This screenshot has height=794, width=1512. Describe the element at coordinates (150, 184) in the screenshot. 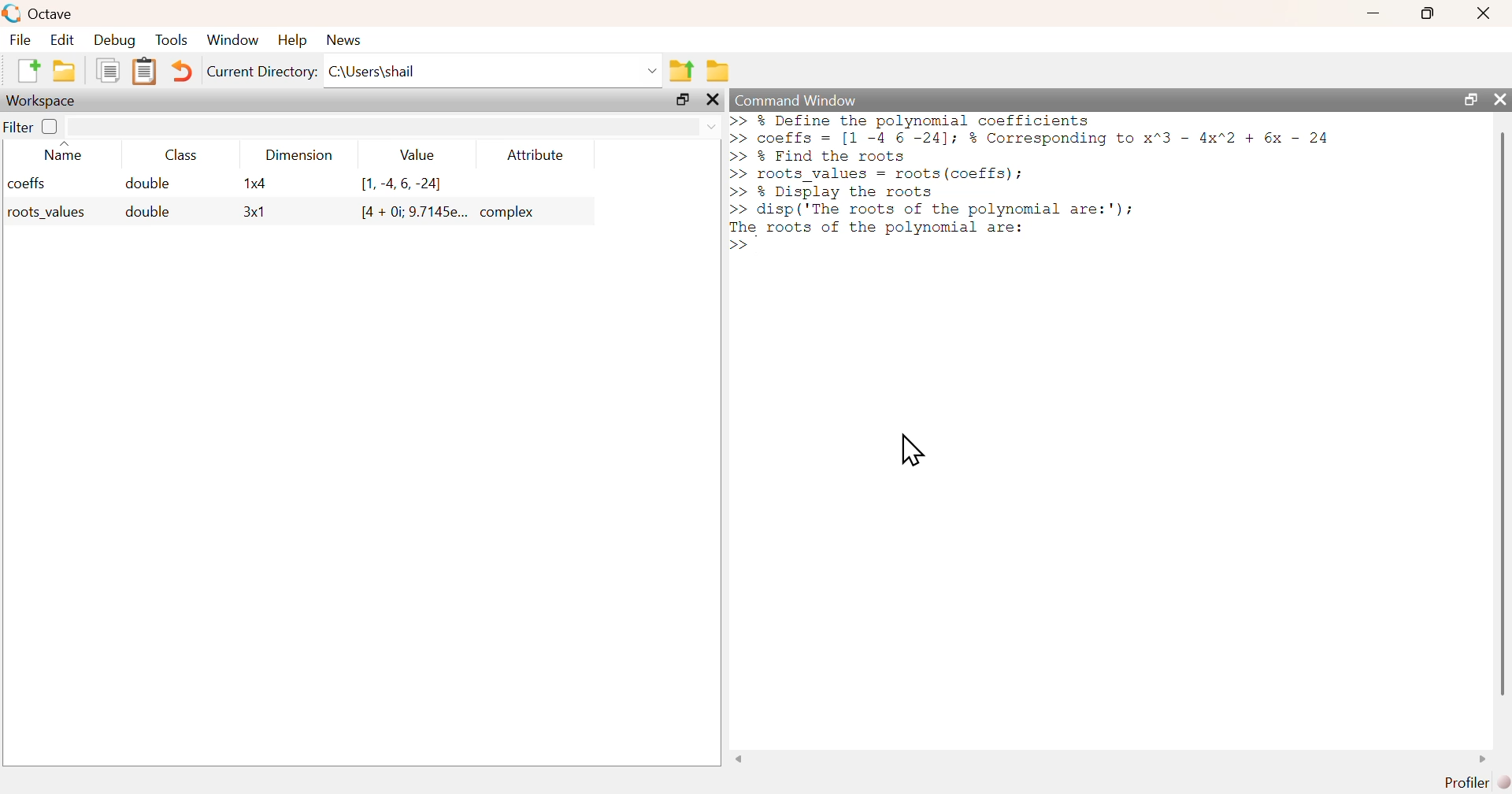

I see `double` at that location.